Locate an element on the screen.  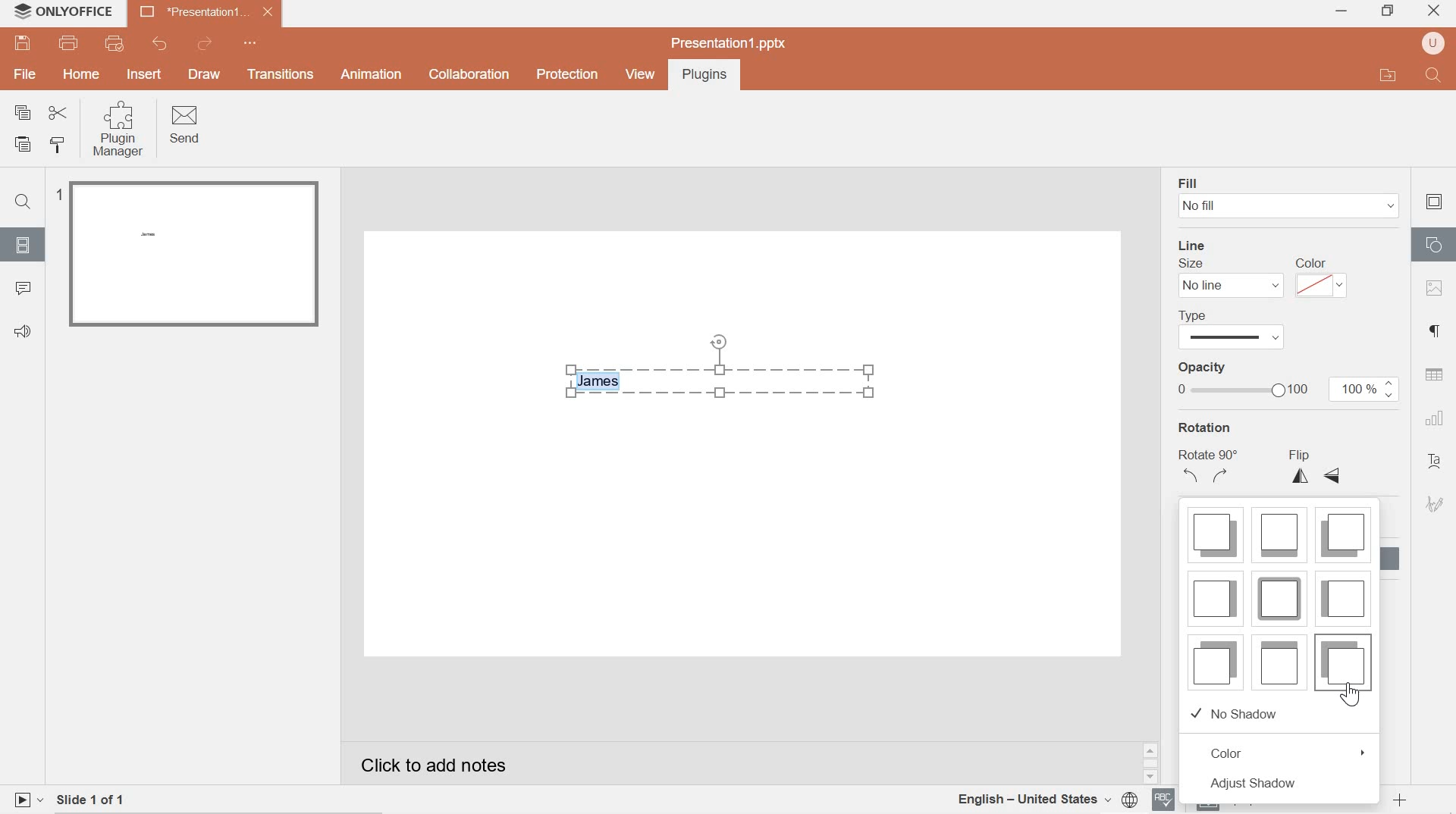
signature is located at coordinates (1436, 504).